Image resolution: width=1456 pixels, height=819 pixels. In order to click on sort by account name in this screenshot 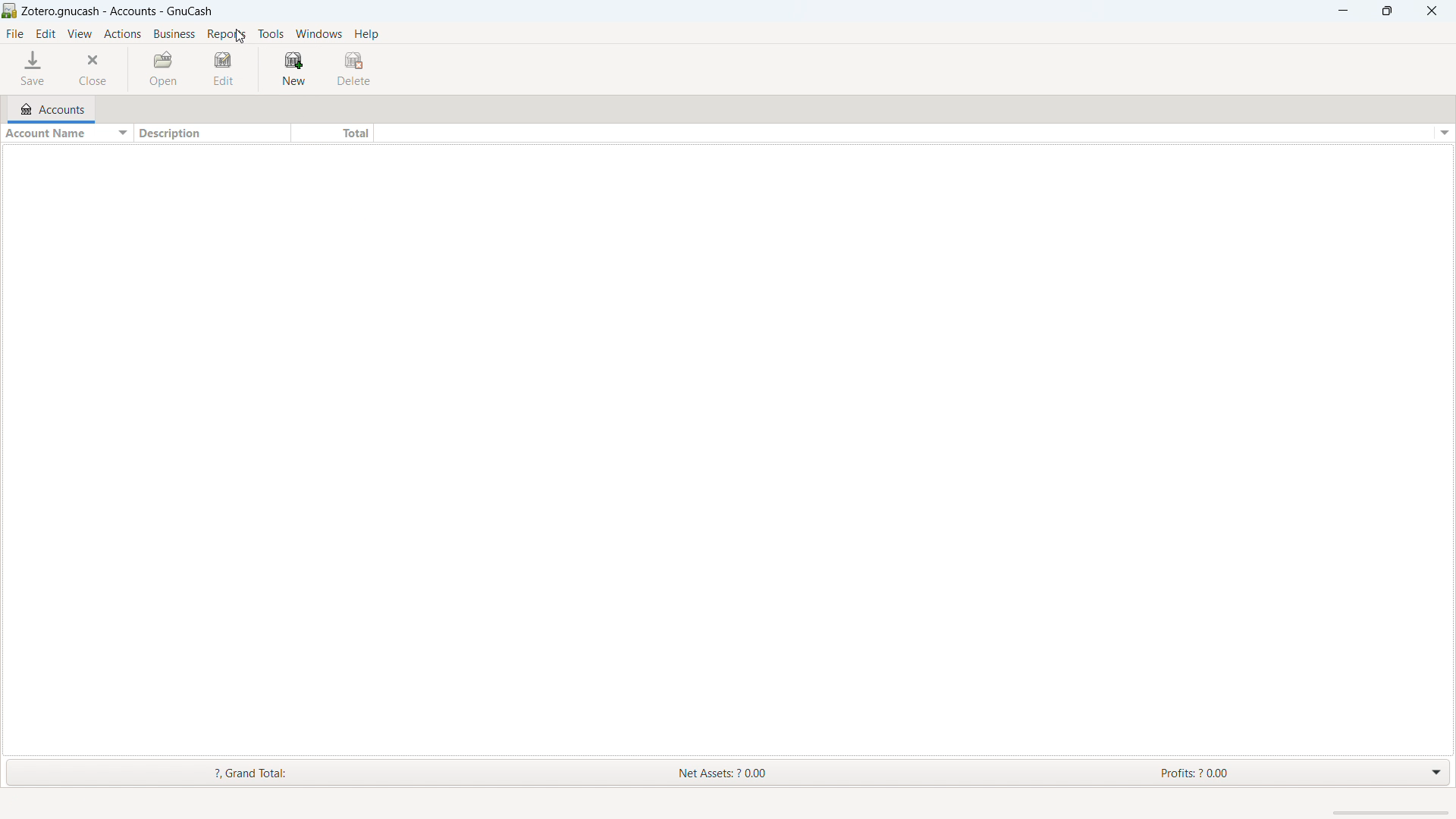, I will do `click(66, 133)`.